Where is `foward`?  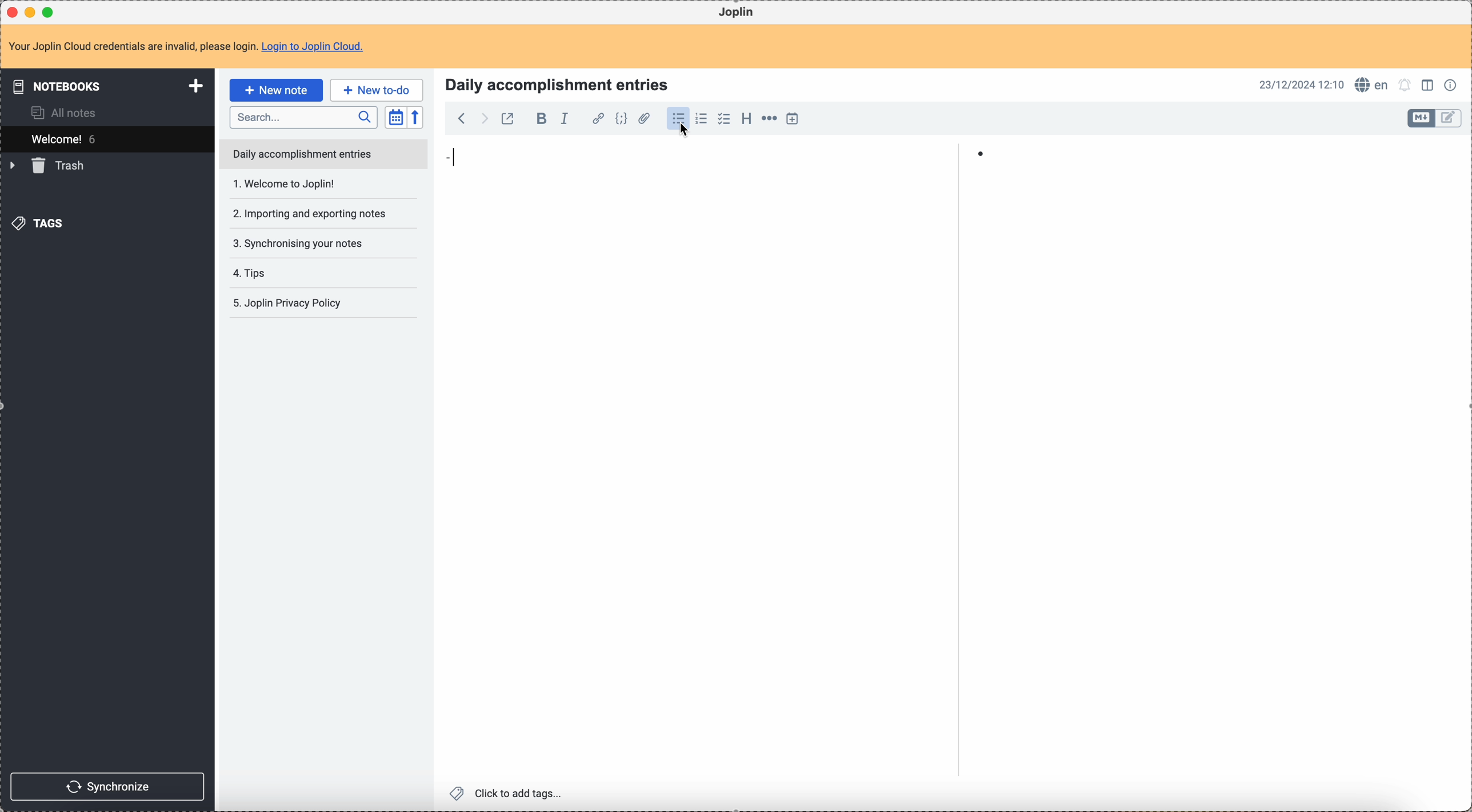
foward is located at coordinates (483, 118).